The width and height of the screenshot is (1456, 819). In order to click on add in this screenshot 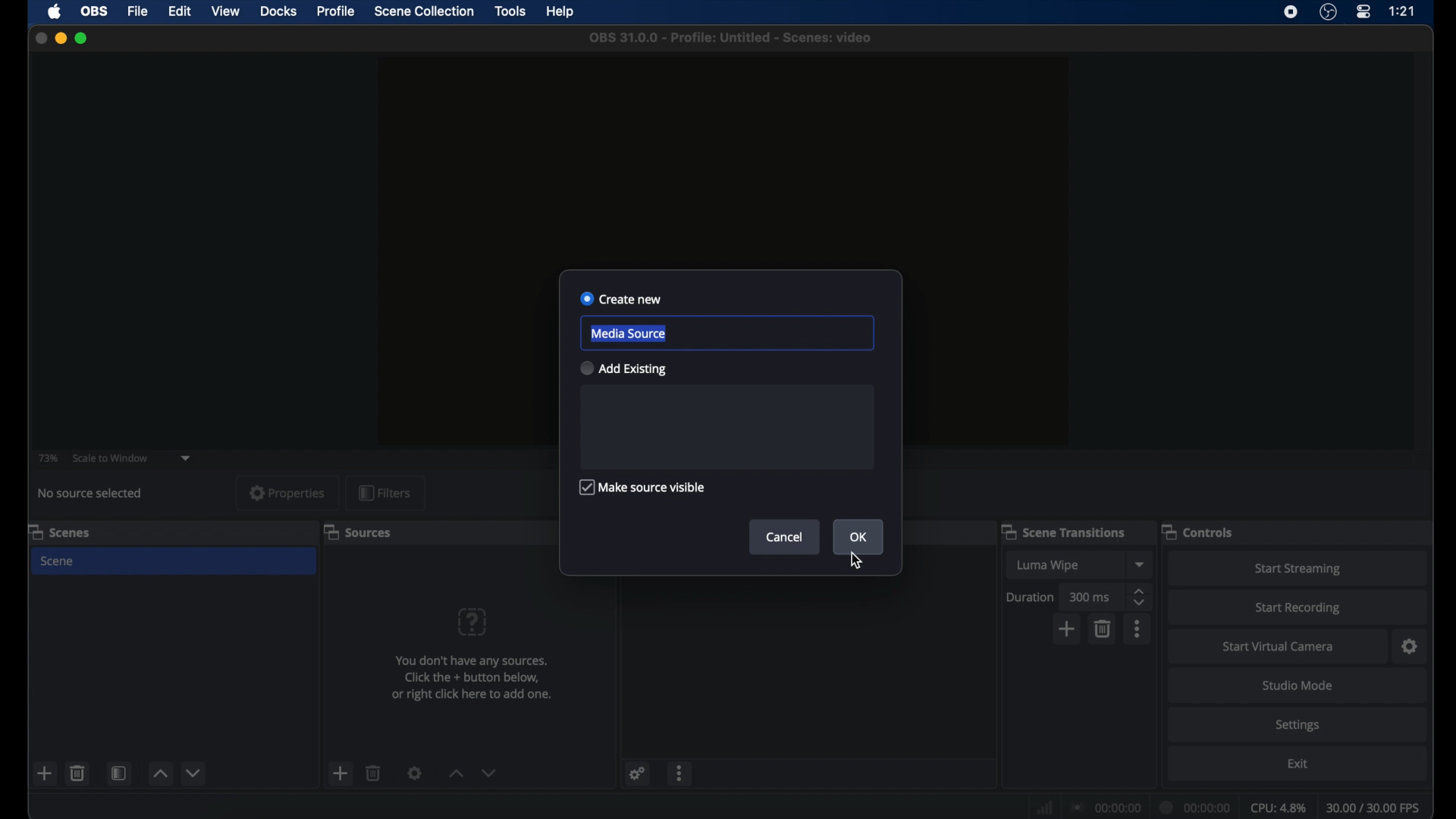, I will do `click(340, 773)`.